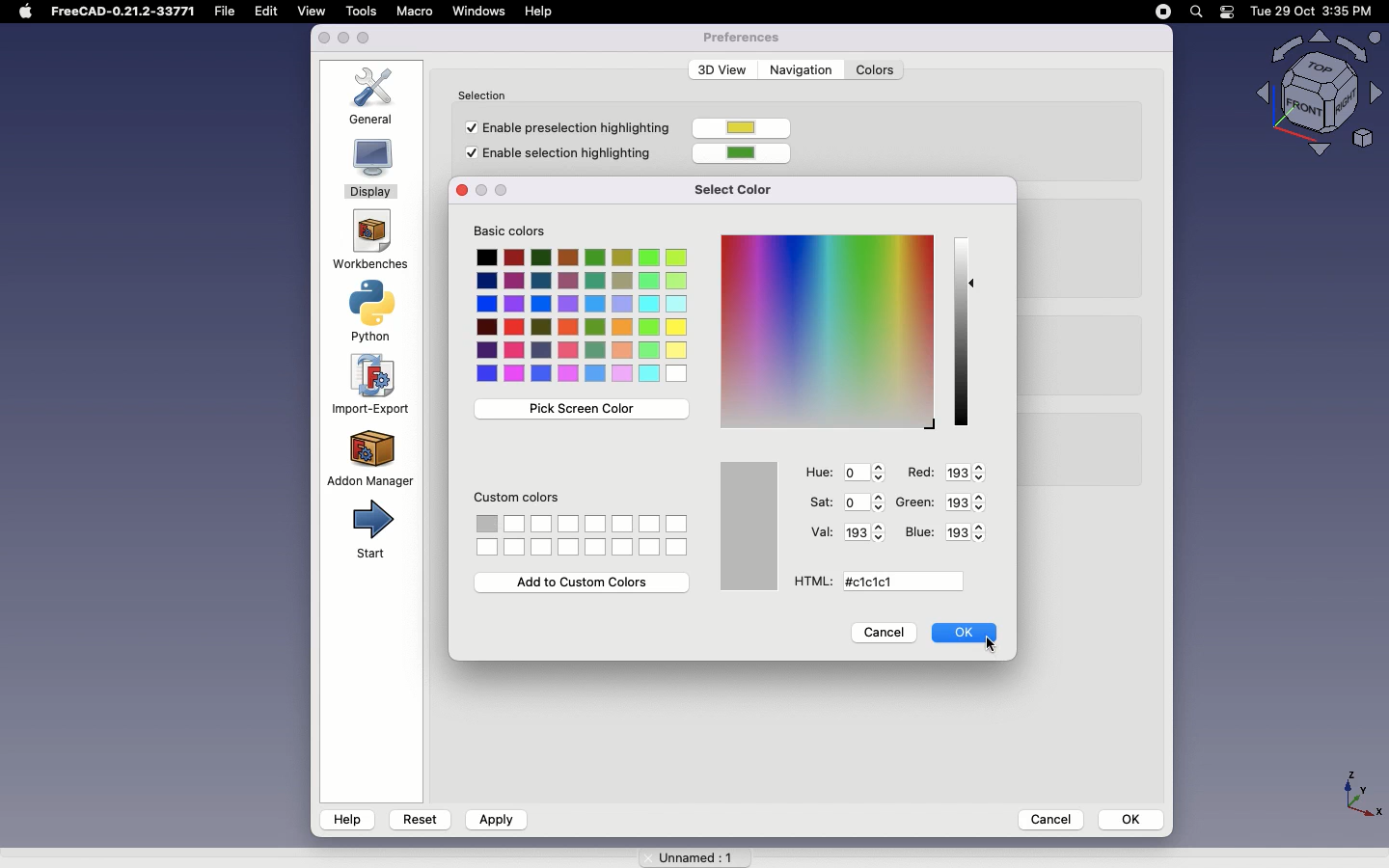  I want to click on Edit, so click(271, 12).